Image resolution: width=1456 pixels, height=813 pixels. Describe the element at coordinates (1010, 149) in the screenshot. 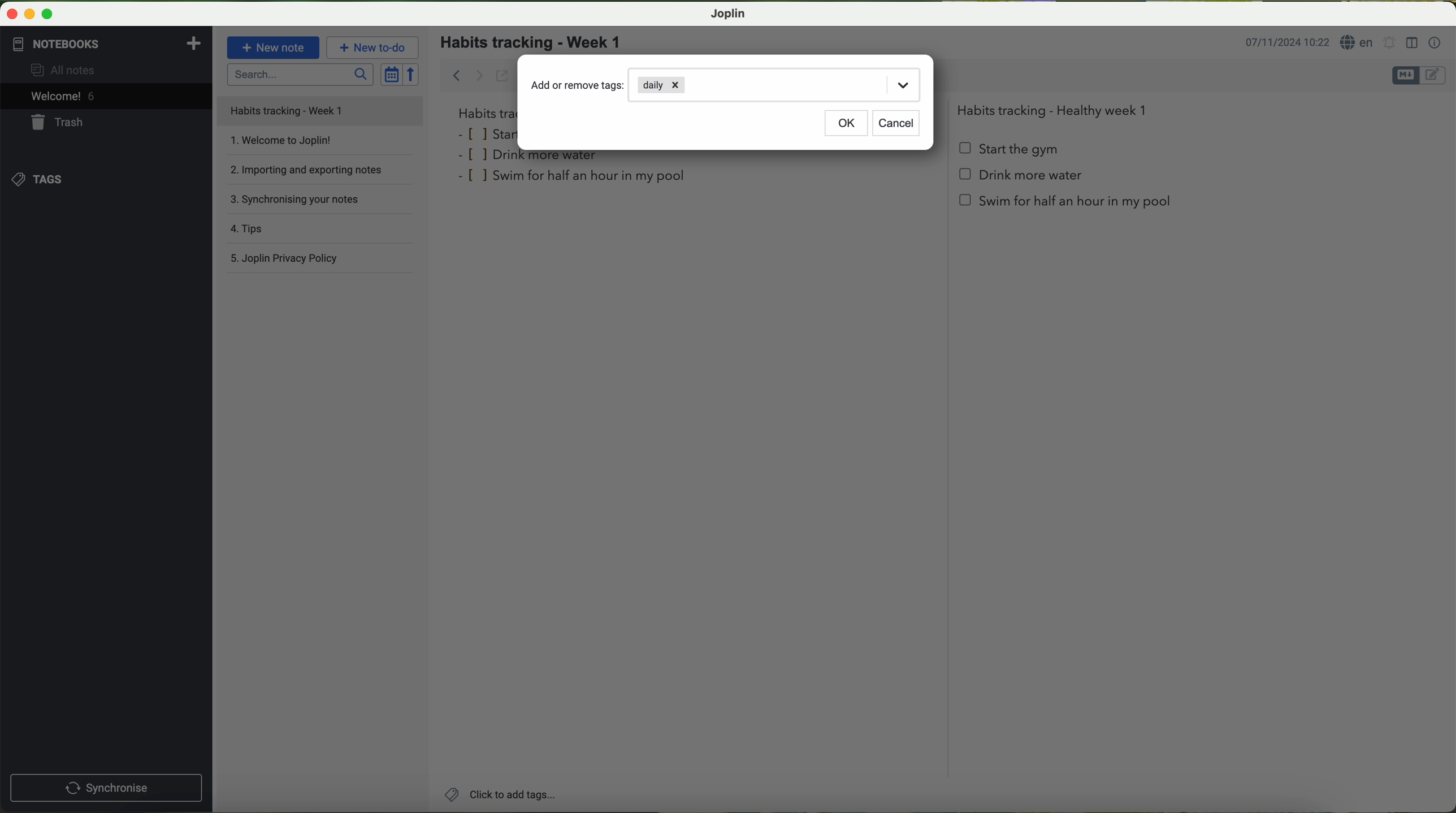

I see `start the gym` at that location.